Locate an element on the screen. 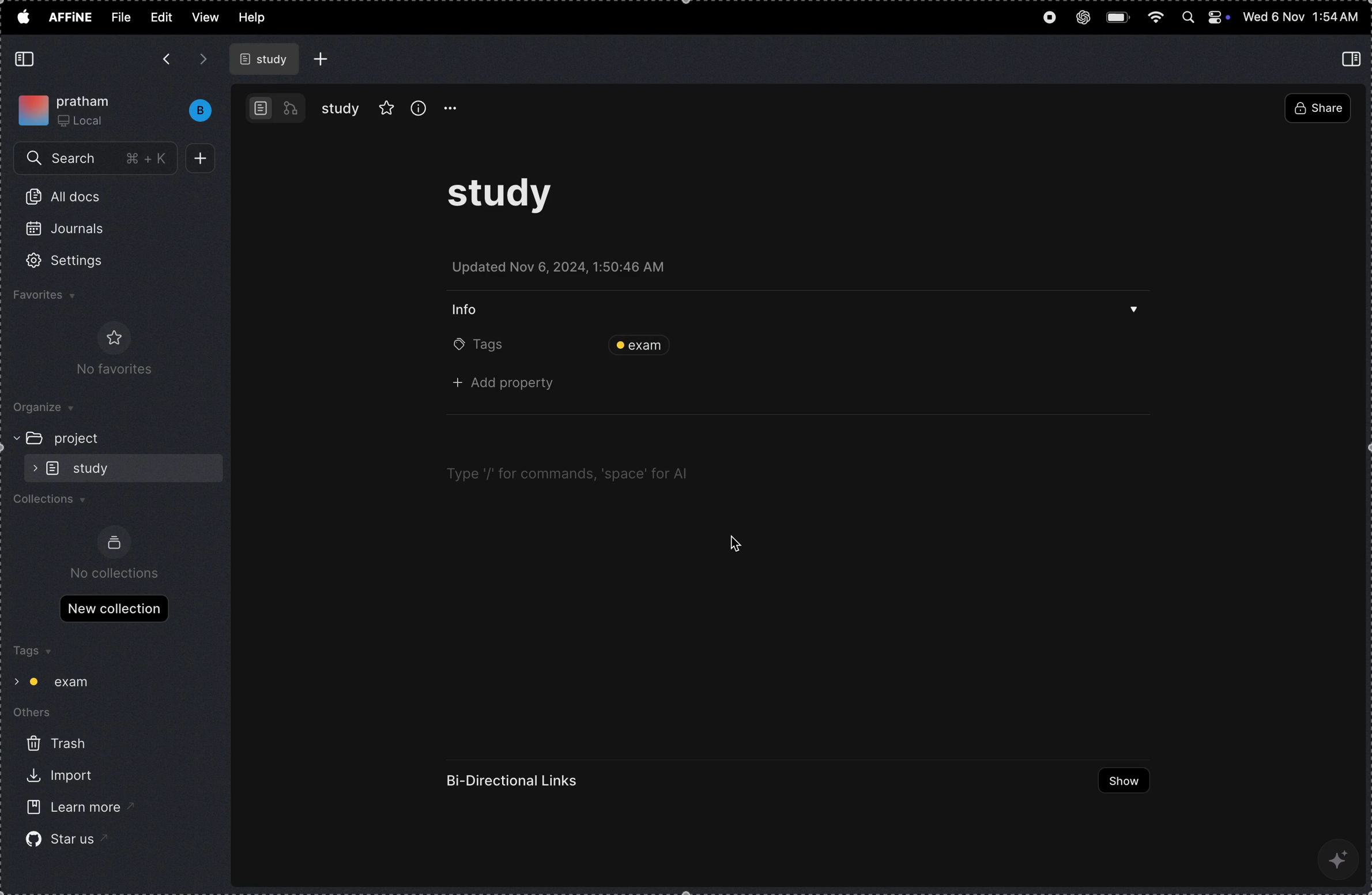 The height and width of the screenshot is (895, 1372). help is located at coordinates (258, 18).